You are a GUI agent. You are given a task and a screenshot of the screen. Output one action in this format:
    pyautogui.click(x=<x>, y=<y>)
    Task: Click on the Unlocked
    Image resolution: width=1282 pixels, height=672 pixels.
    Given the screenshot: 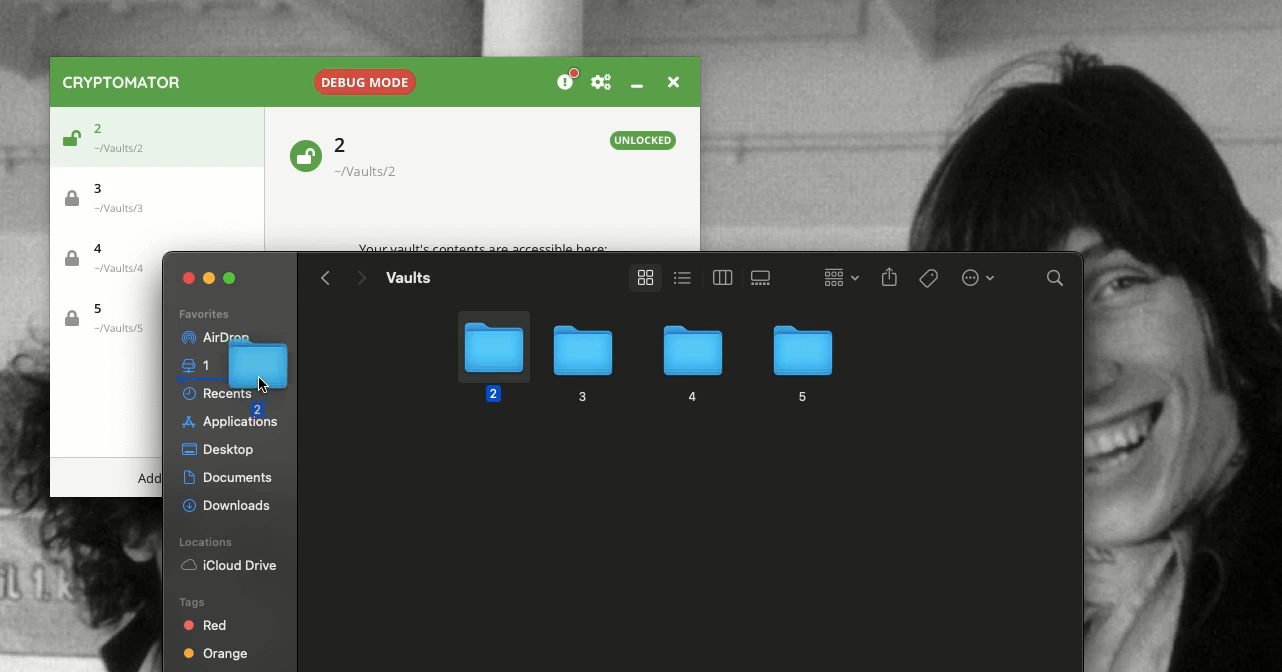 What is the action you would take?
    pyautogui.click(x=304, y=154)
    